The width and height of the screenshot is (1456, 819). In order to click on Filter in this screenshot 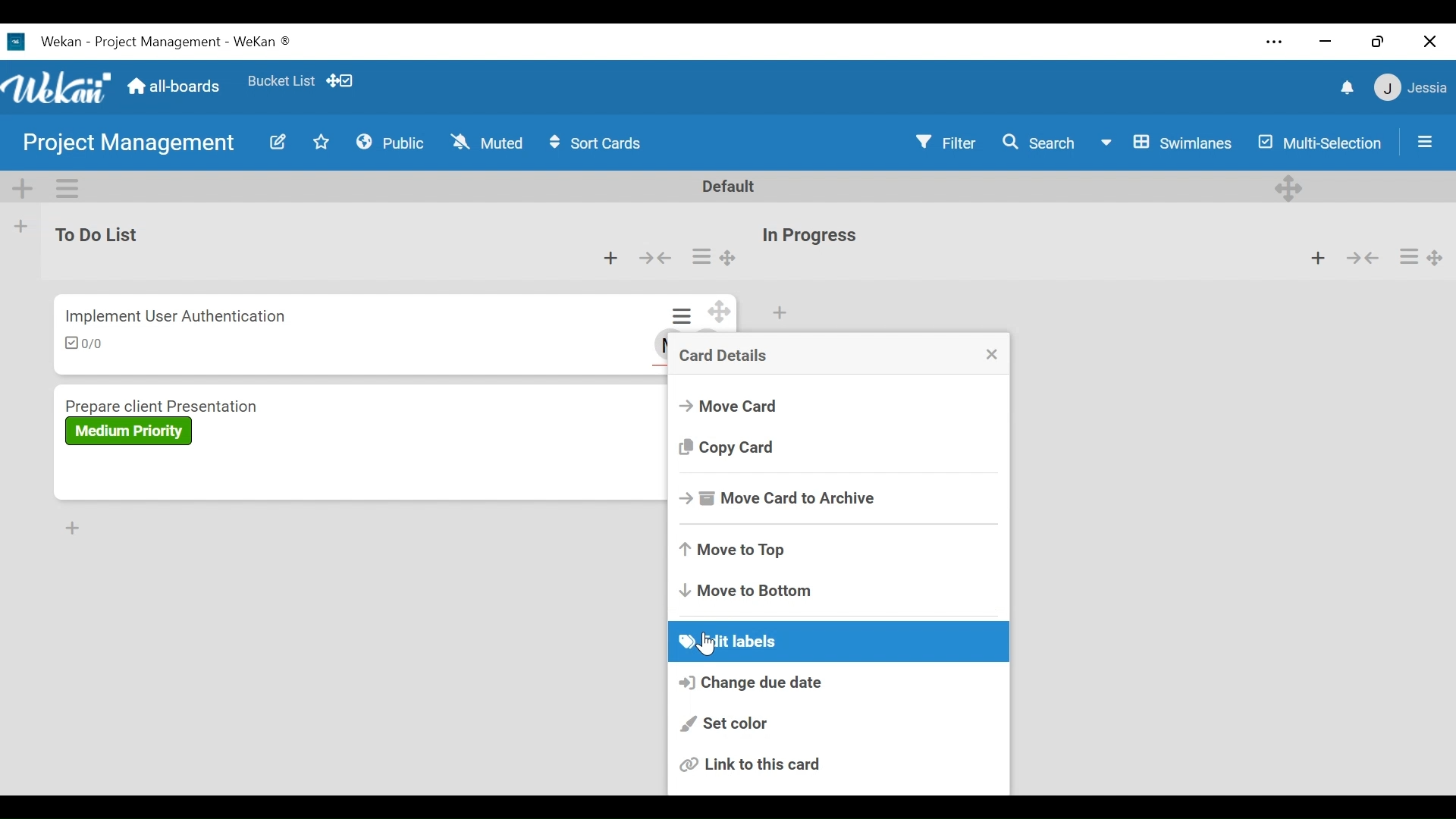, I will do `click(948, 142)`.